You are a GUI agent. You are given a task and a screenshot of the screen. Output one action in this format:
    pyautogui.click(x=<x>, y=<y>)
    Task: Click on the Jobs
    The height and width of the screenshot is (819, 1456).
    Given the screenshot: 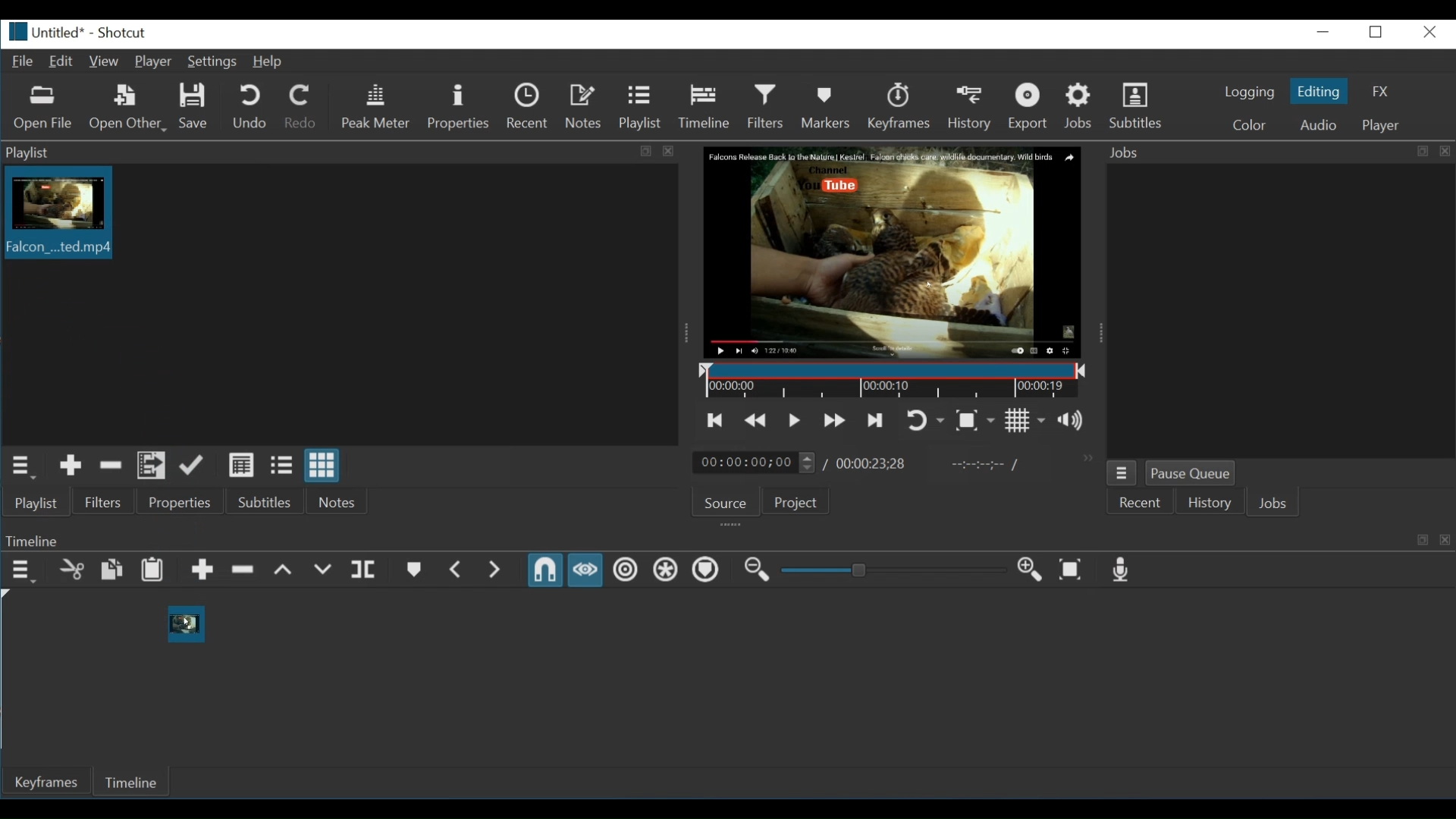 What is the action you would take?
    pyautogui.click(x=1080, y=106)
    